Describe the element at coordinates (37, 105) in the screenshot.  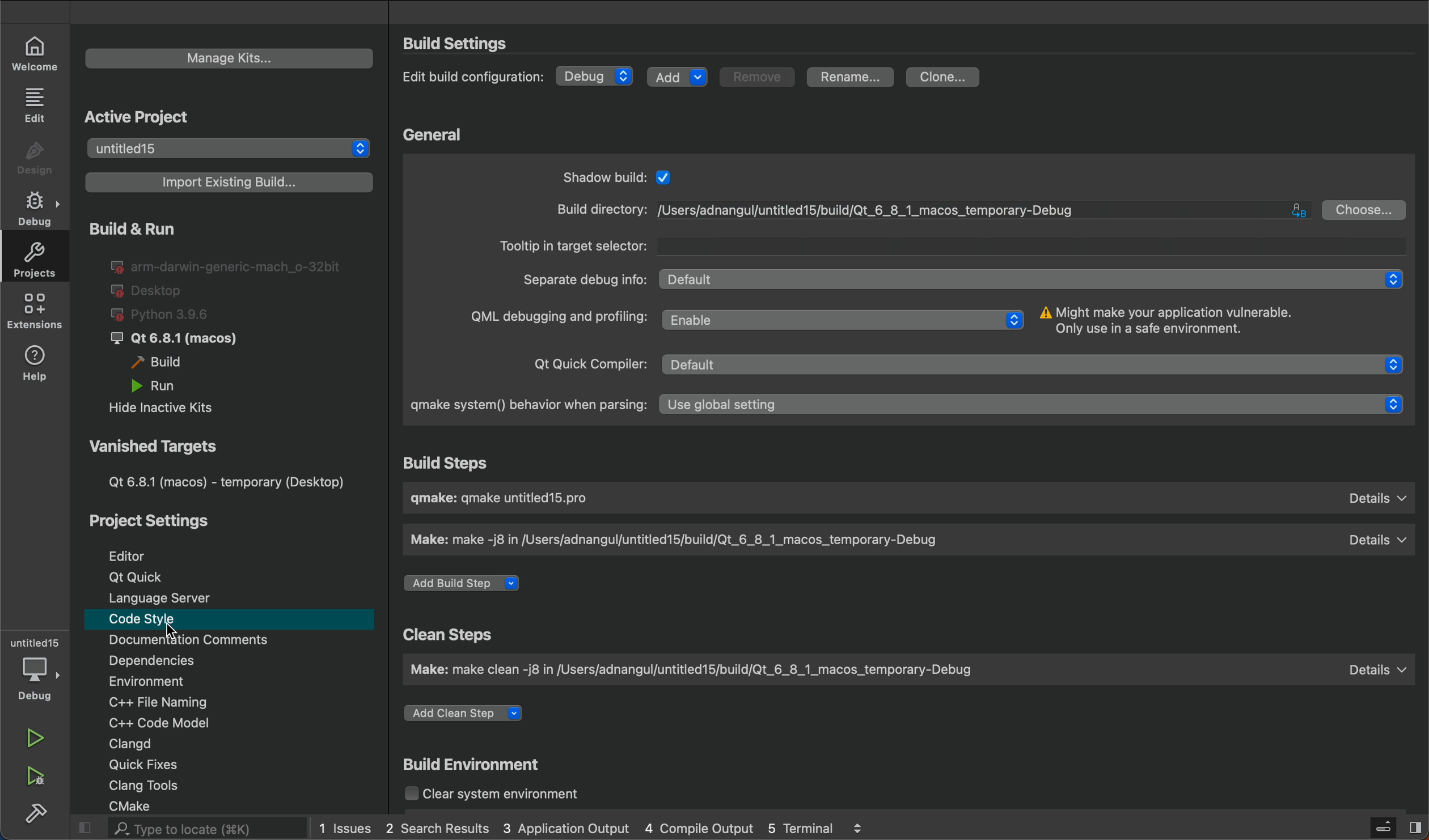
I see `edit` at that location.